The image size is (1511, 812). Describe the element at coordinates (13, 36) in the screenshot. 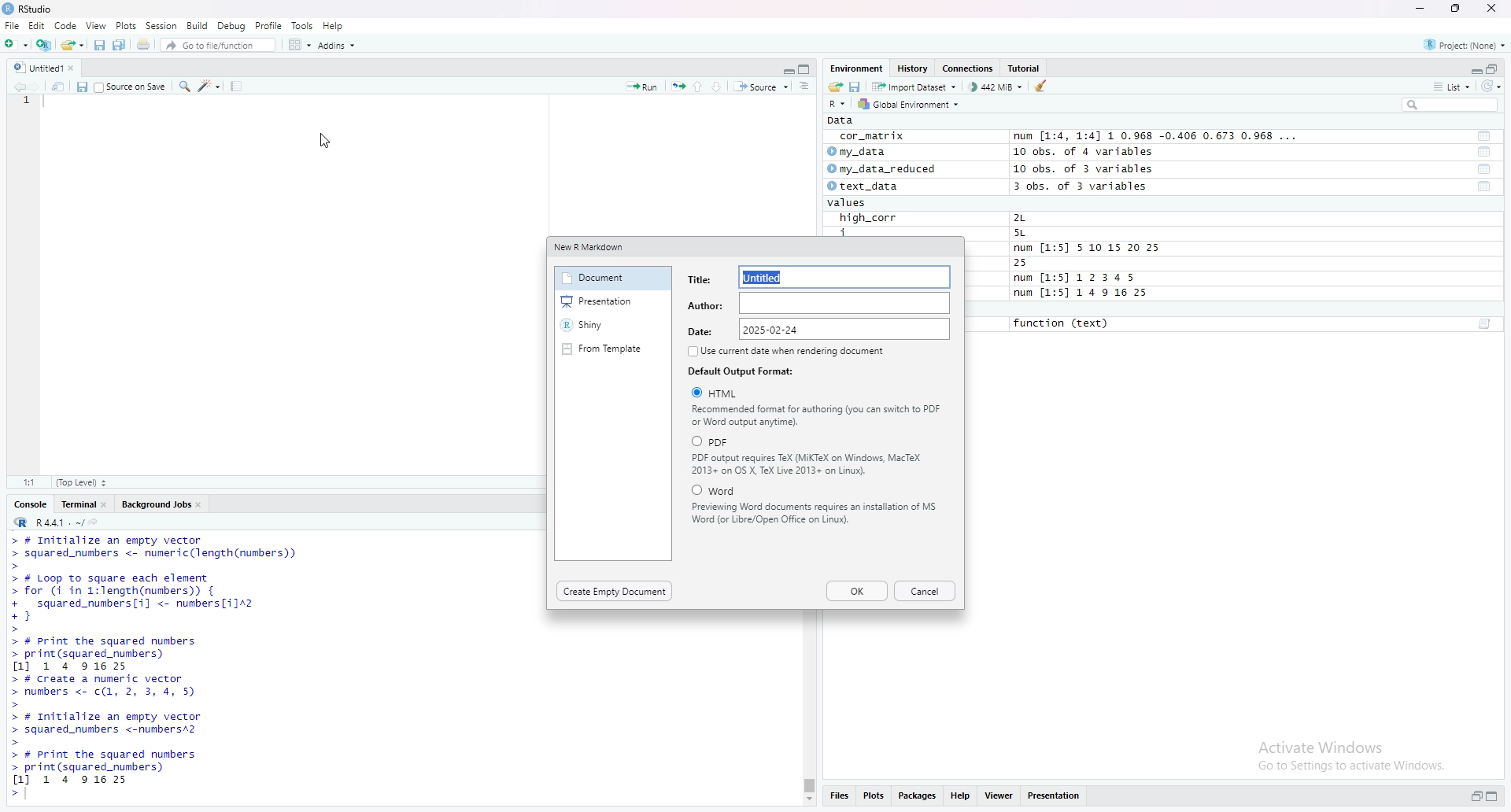

I see `Cursor` at that location.